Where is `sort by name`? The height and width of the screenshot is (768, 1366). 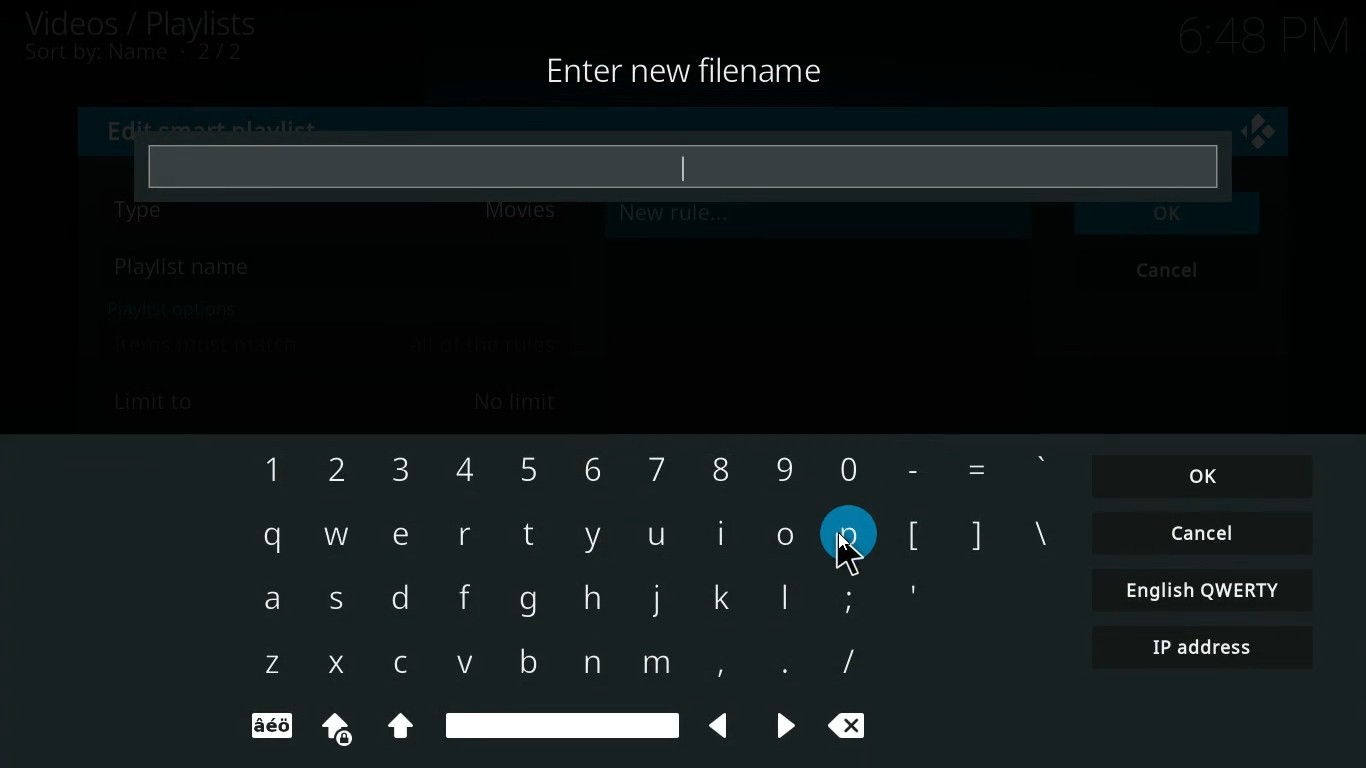
sort by name is located at coordinates (145, 55).